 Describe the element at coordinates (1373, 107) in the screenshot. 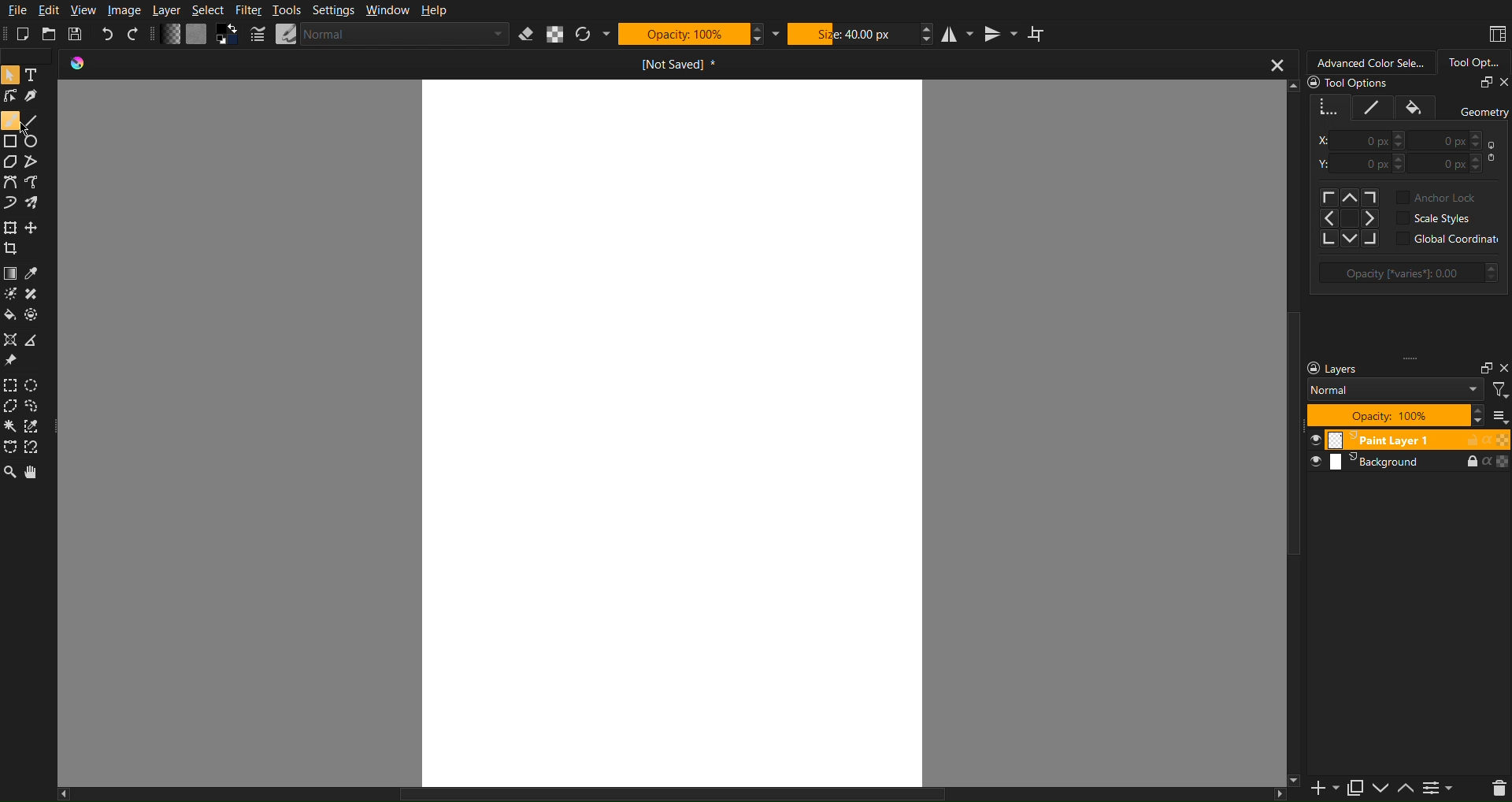

I see `Line` at that location.